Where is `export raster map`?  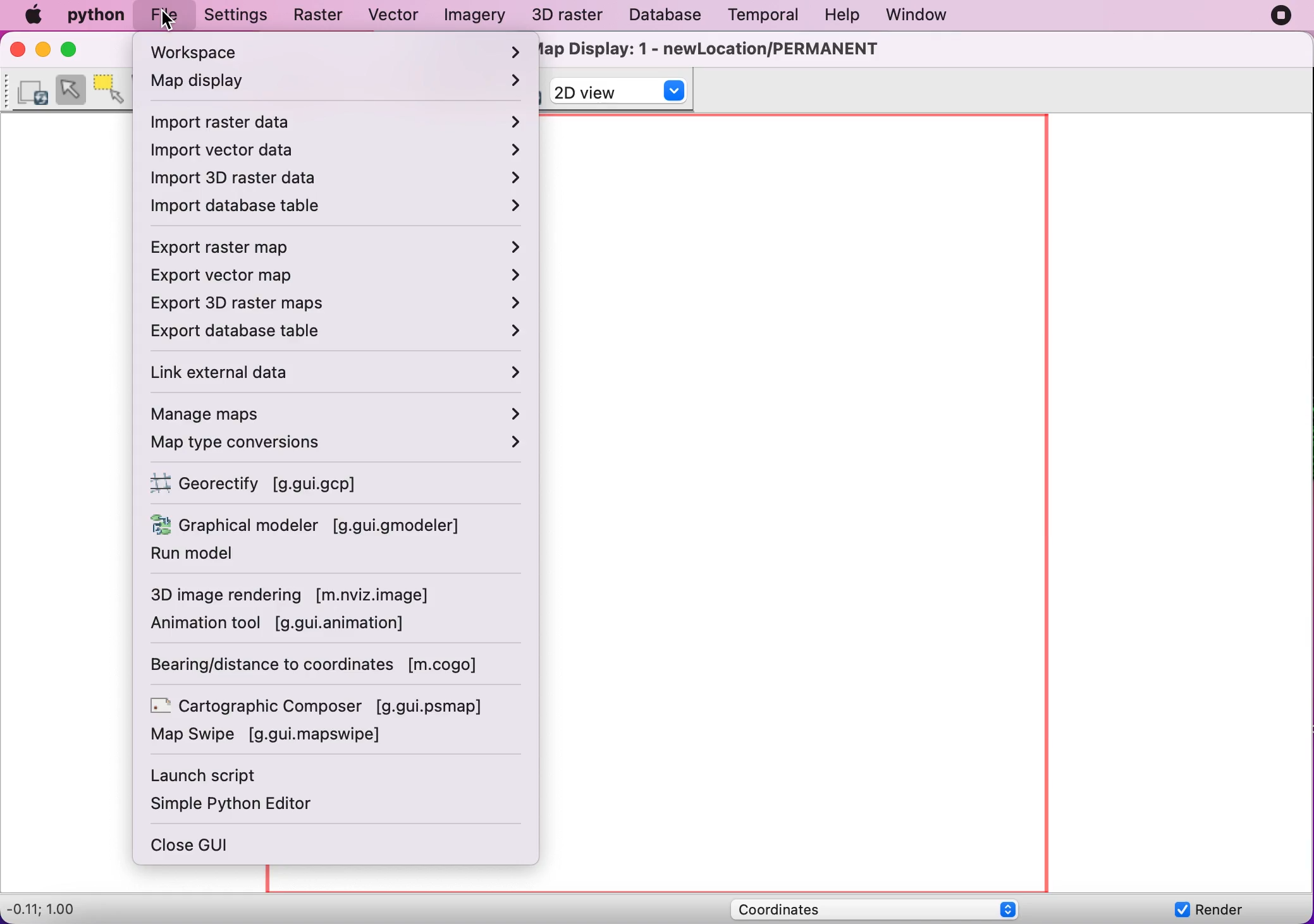
export raster map is located at coordinates (343, 245).